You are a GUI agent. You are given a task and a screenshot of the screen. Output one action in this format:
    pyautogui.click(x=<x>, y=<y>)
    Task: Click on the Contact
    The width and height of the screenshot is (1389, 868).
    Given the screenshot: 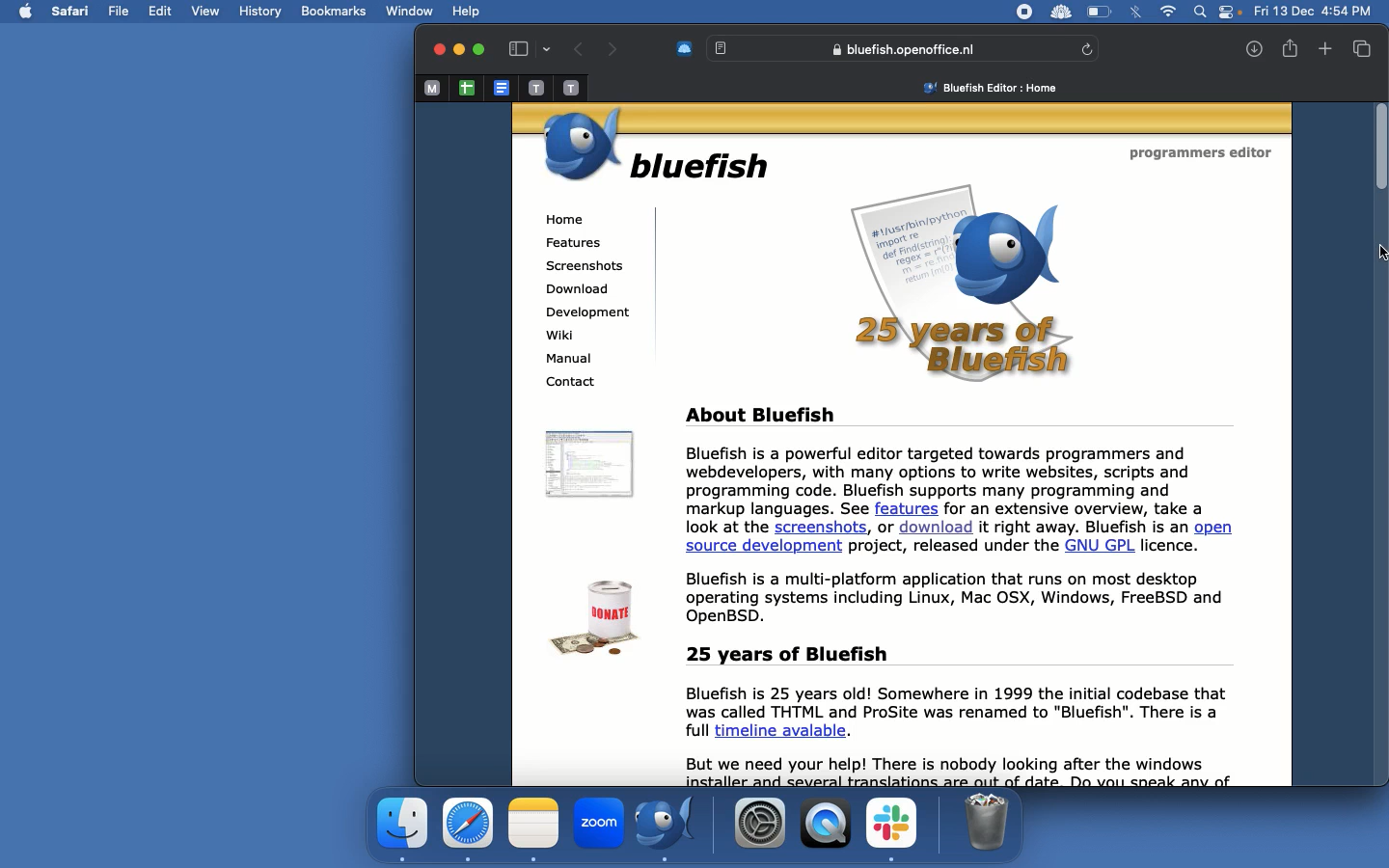 What is the action you would take?
    pyautogui.click(x=565, y=383)
    